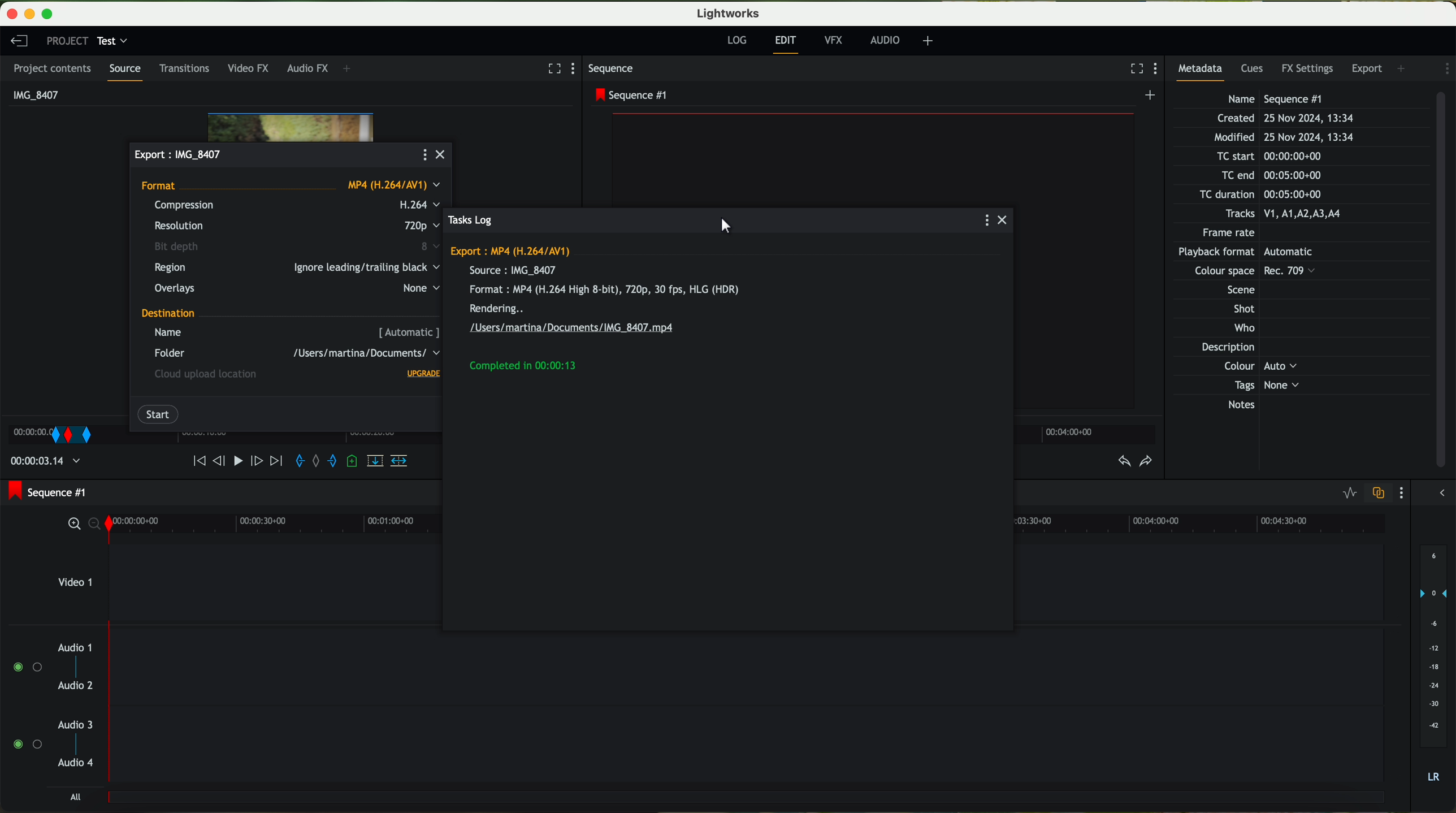 This screenshot has width=1456, height=813. What do you see at coordinates (297, 226) in the screenshot?
I see `resolution` at bounding box center [297, 226].